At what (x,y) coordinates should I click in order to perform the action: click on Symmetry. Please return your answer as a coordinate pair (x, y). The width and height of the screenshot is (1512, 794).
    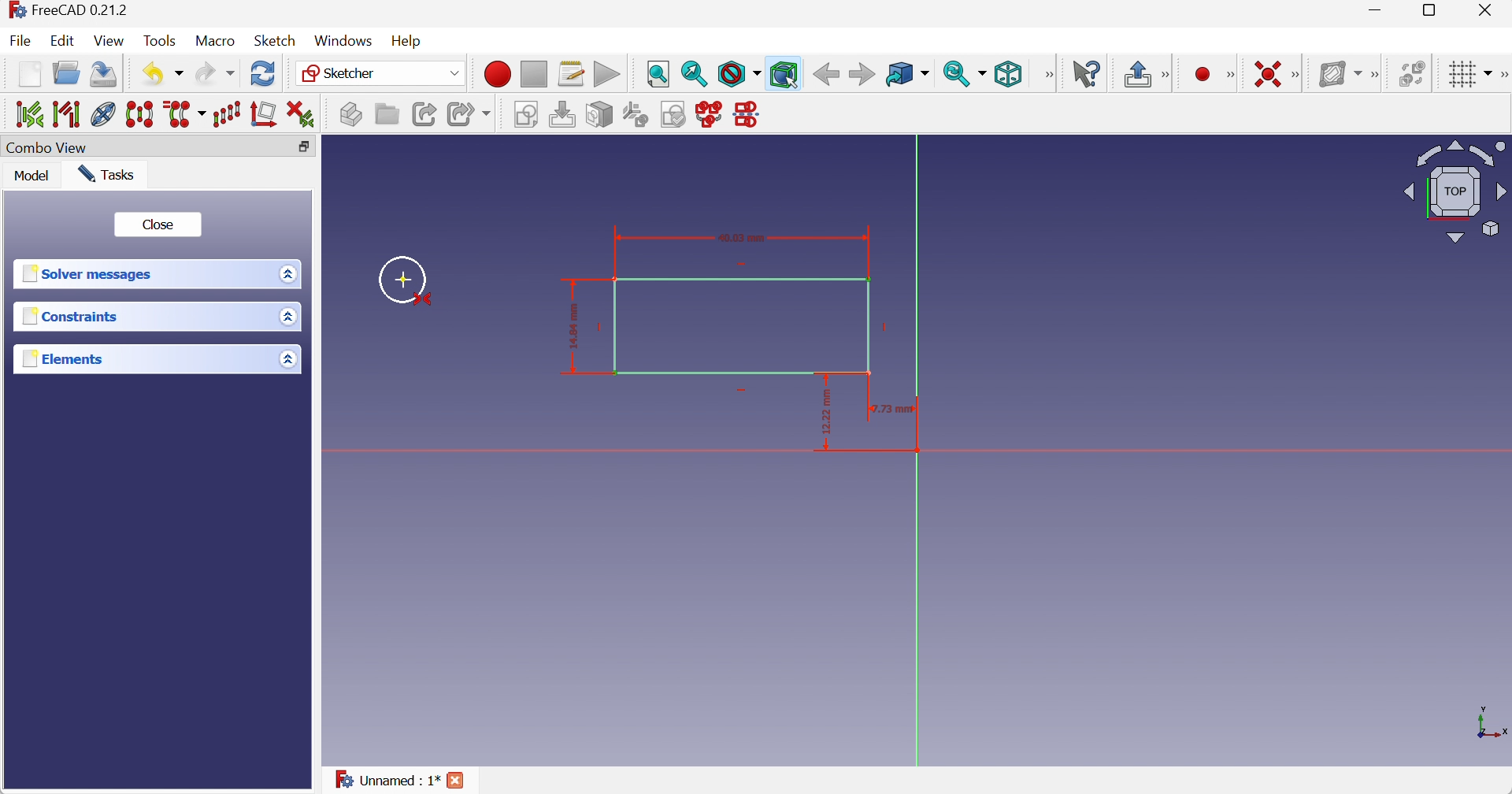
    Looking at the image, I should click on (143, 113).